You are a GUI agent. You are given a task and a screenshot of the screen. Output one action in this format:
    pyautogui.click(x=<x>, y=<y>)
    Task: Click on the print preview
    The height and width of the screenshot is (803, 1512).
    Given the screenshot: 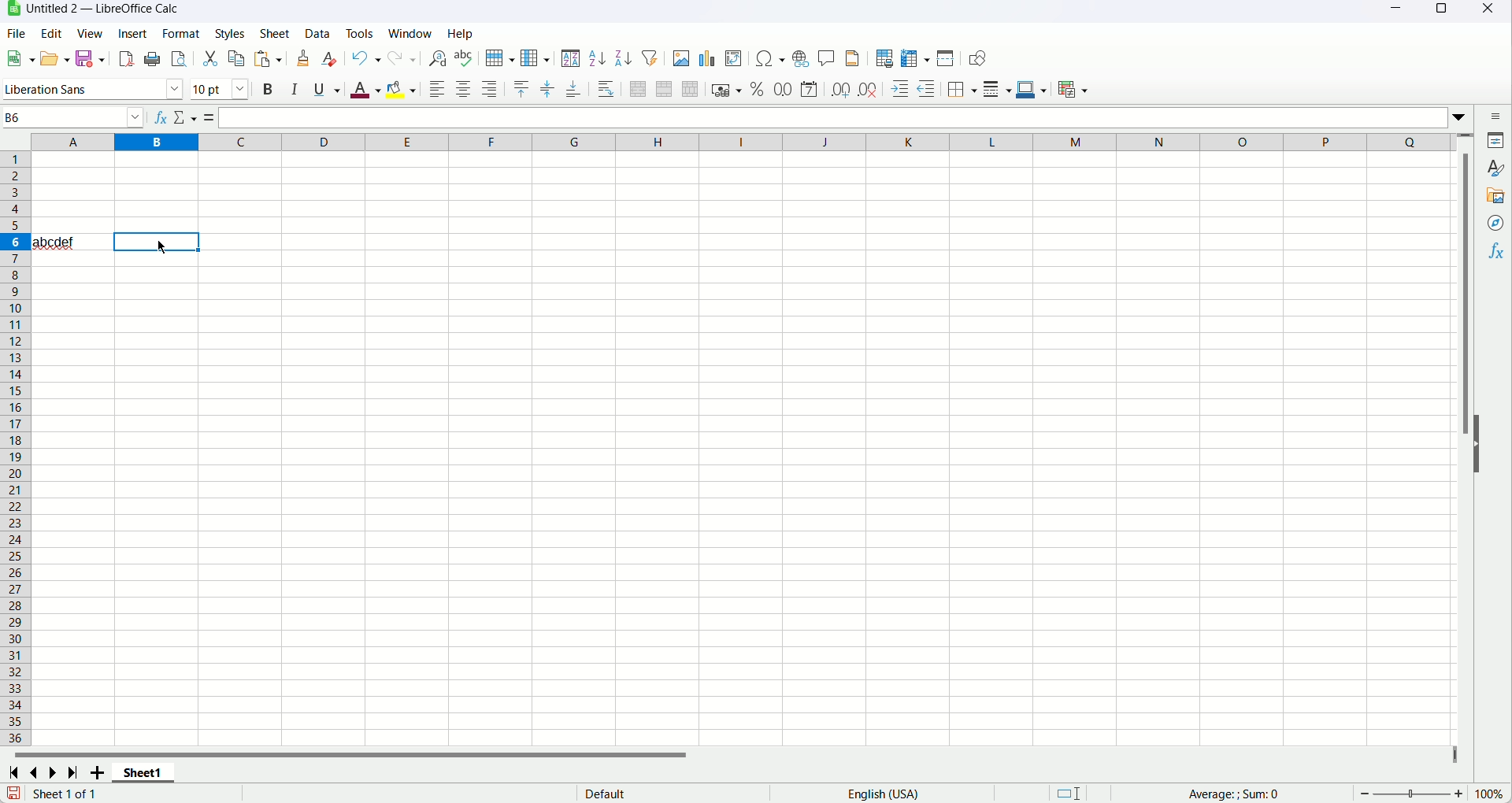 What is the action you would take?
    pyautogui.click(x=180, y=58)
    